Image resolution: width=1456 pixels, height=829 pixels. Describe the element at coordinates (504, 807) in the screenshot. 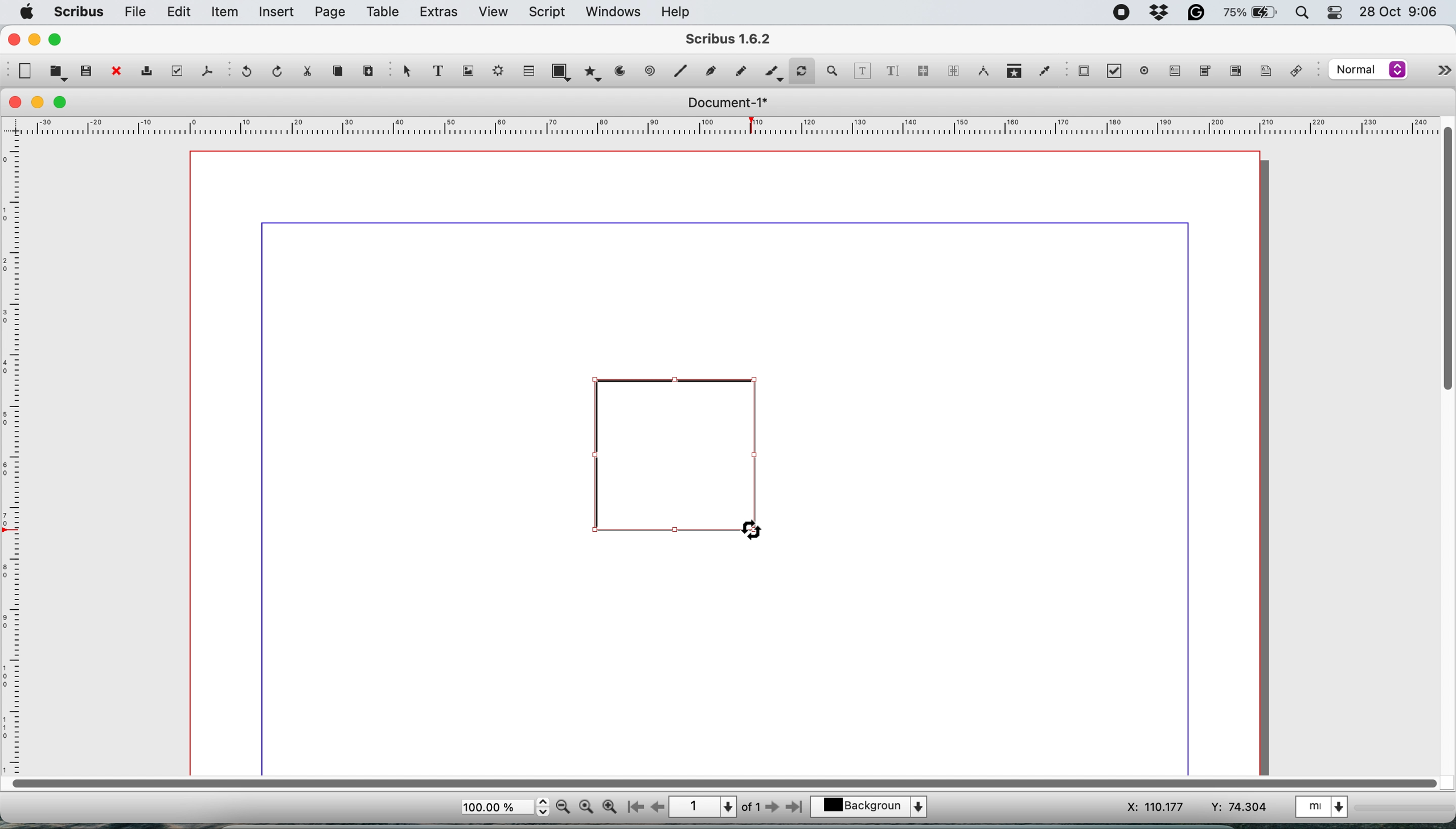

I see `zoom scale` at that location.